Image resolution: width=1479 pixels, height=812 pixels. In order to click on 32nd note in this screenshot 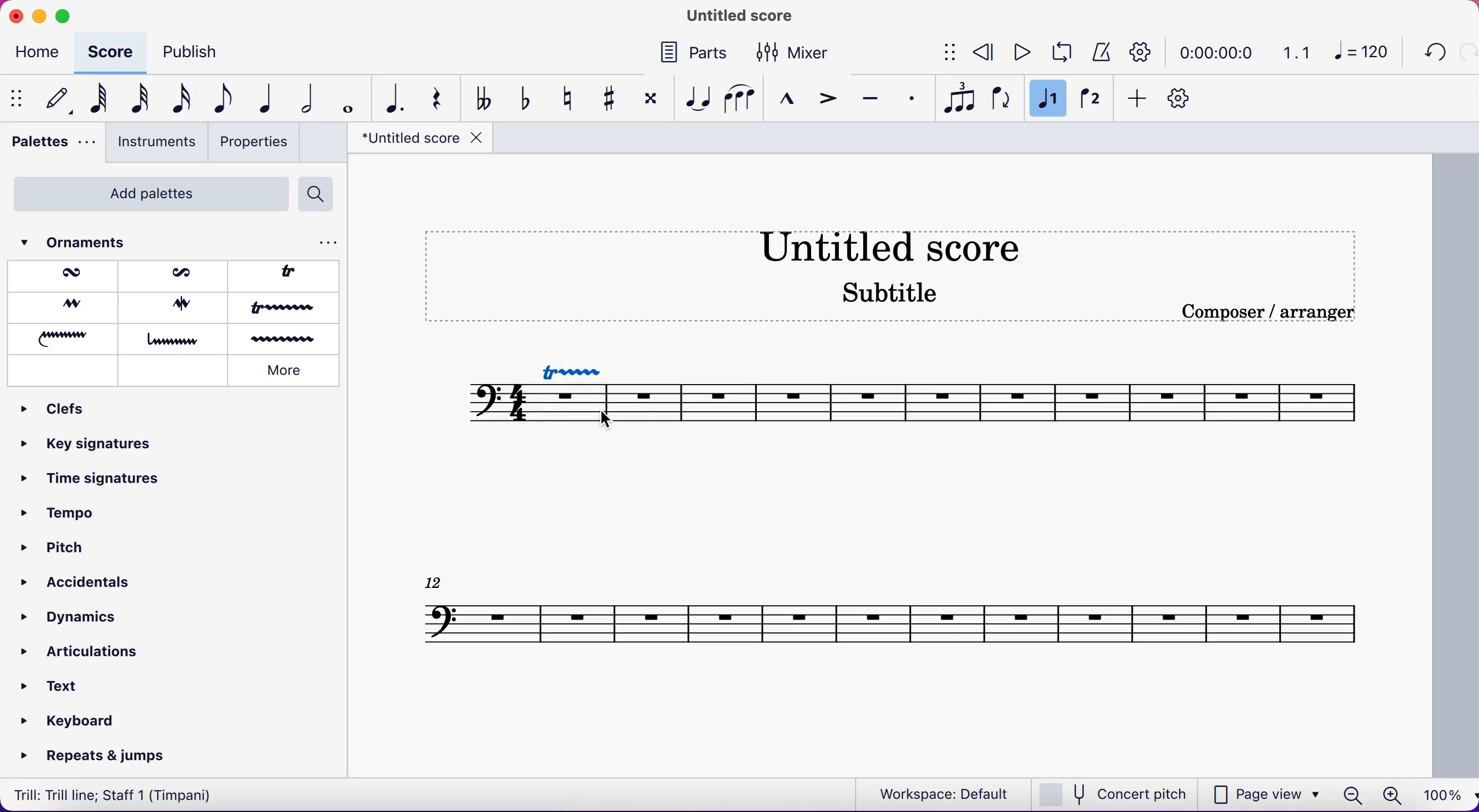, I will do `click(134, 99)`.